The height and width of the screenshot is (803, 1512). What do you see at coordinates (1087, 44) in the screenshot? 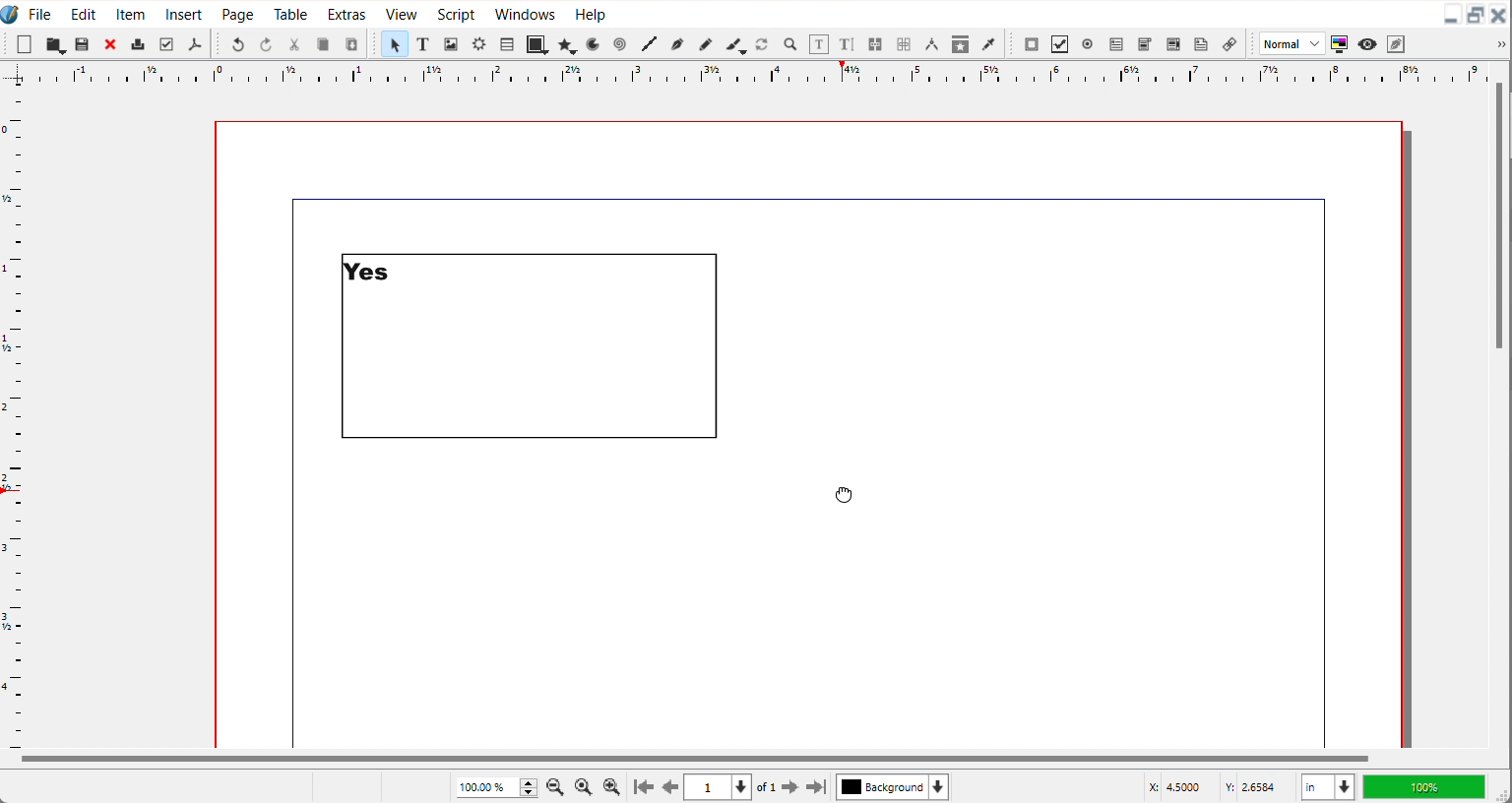
I see `PDF radio button` at bounding box center [1087, 44].